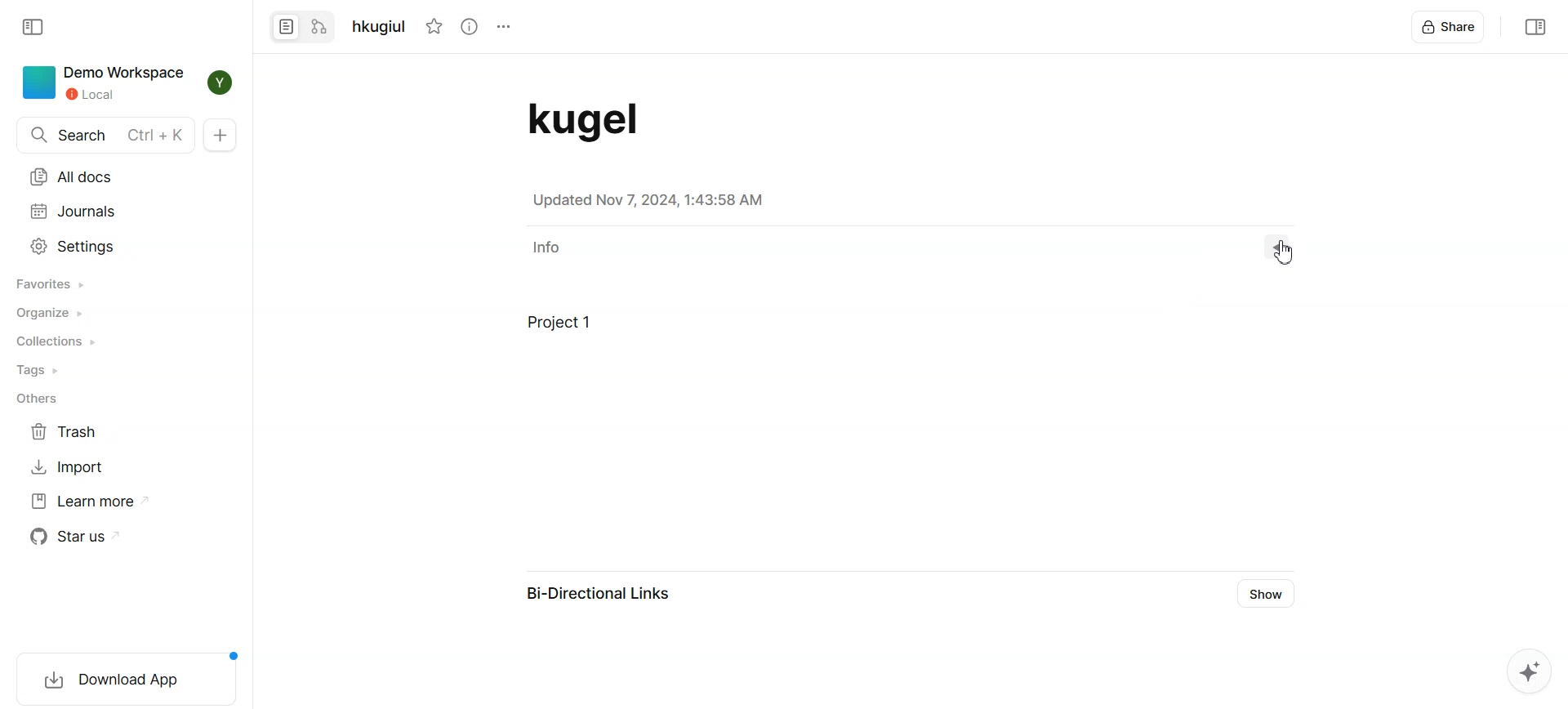 This screenshot has height=709, width=1568. I want to click on Document Title, so click(608, 120).